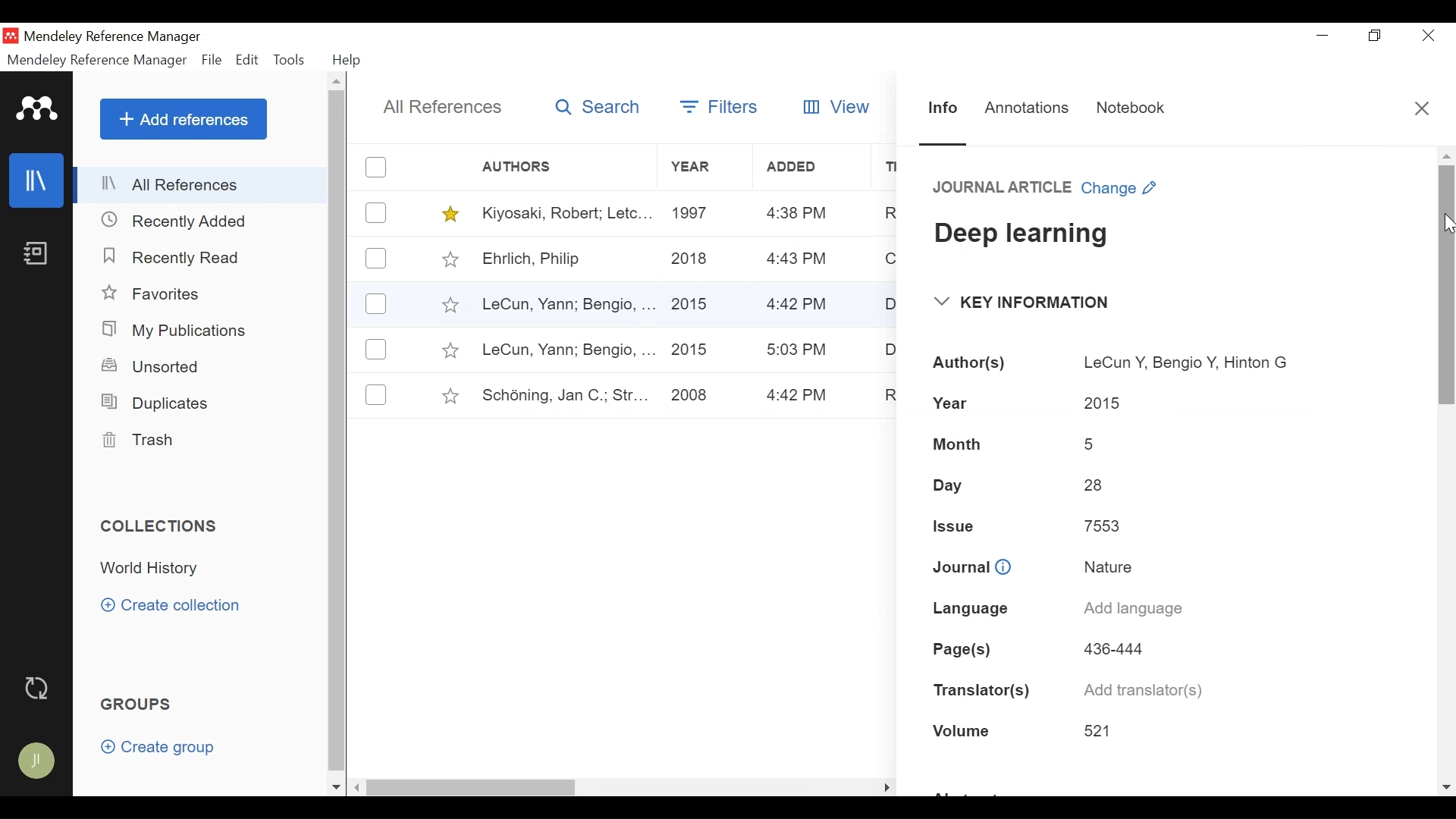 The image size is (1456, 819). What do you see at coordinates (37, 111) in the screenshot?
I see `Mendeley Logo` at bounding box center [37, 111].